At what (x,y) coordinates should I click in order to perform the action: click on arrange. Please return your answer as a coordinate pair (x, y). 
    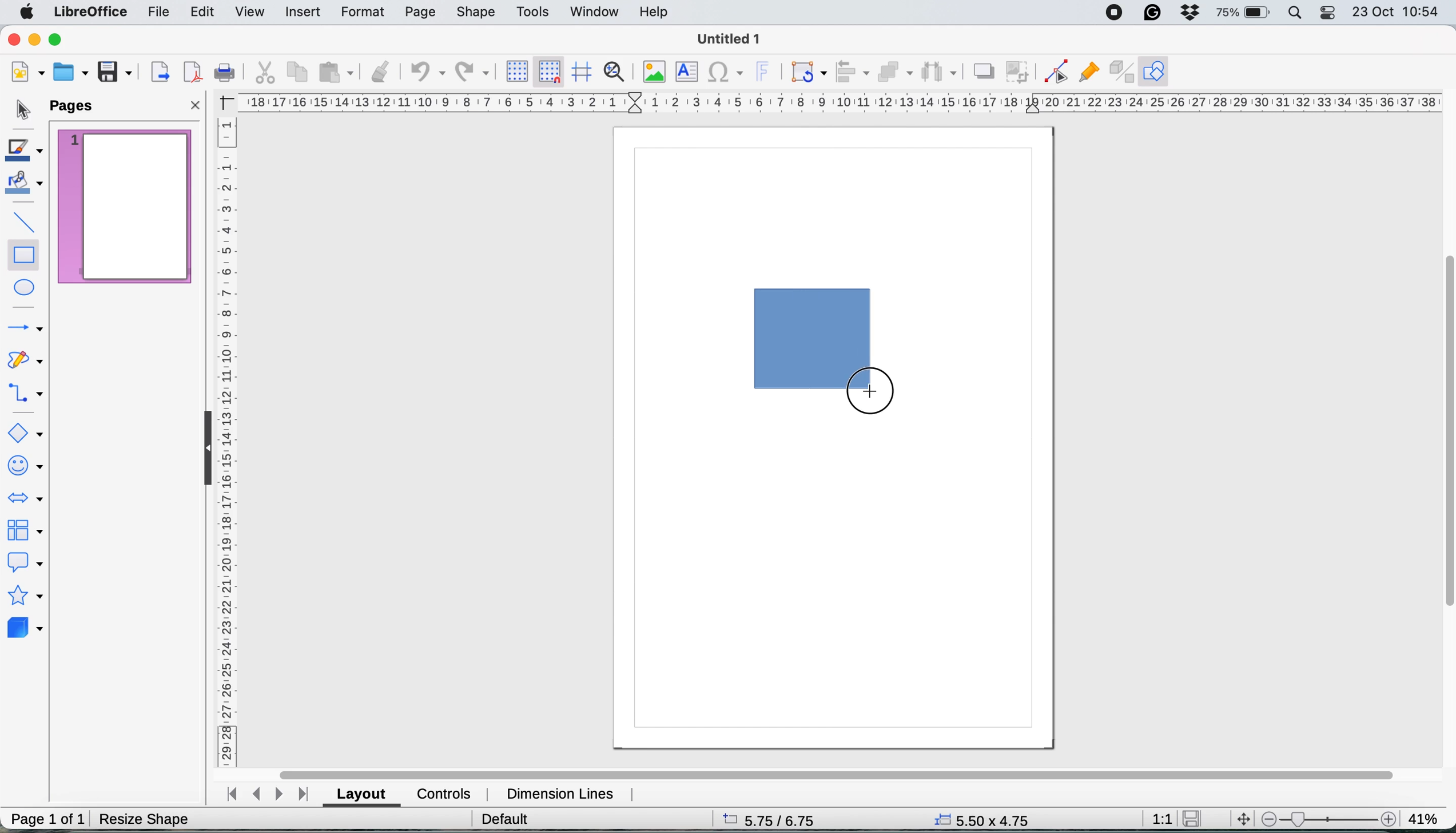
    Looking at the image, I should click on (898, 73).